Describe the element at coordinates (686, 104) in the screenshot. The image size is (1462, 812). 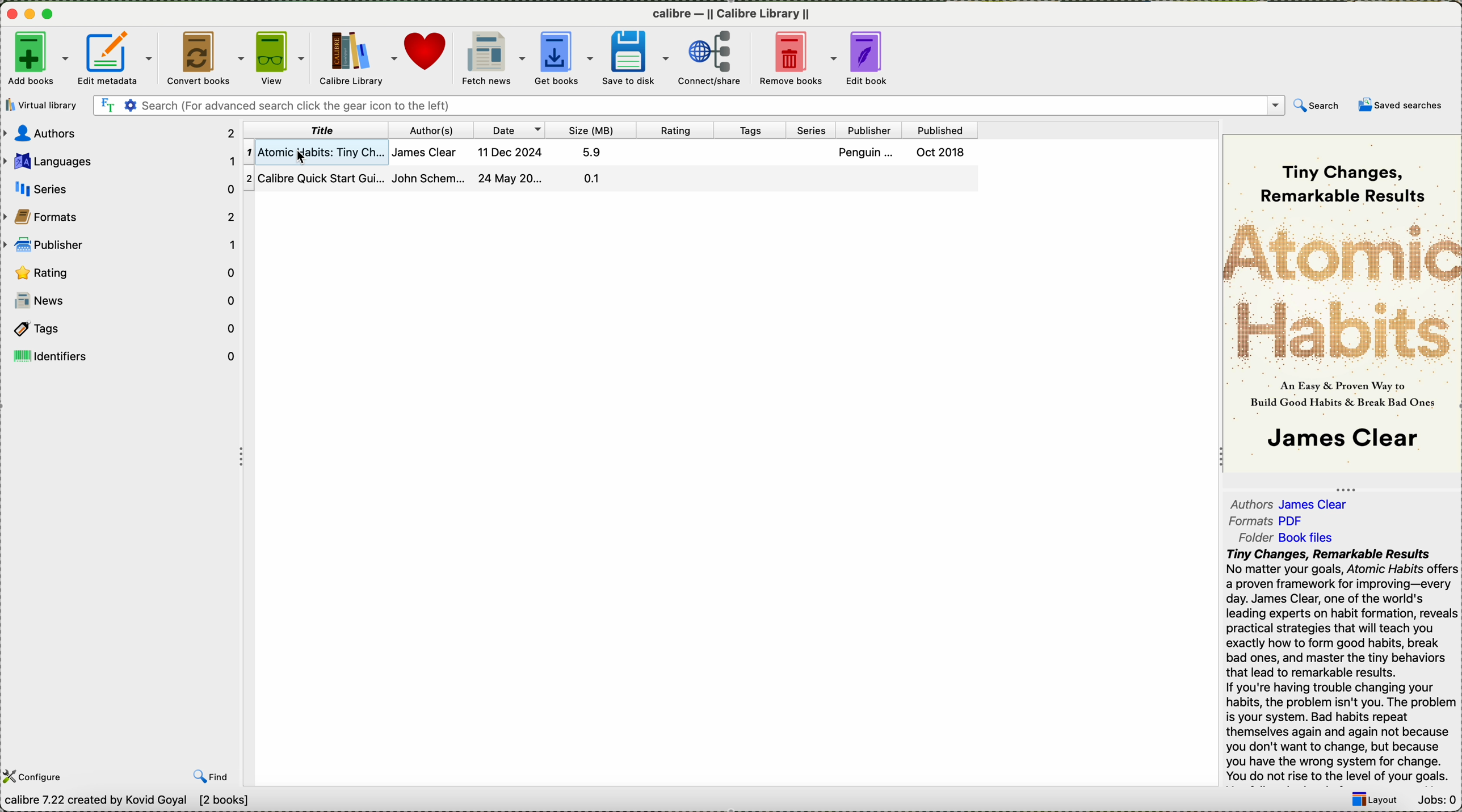
I see `search bar` at that location.